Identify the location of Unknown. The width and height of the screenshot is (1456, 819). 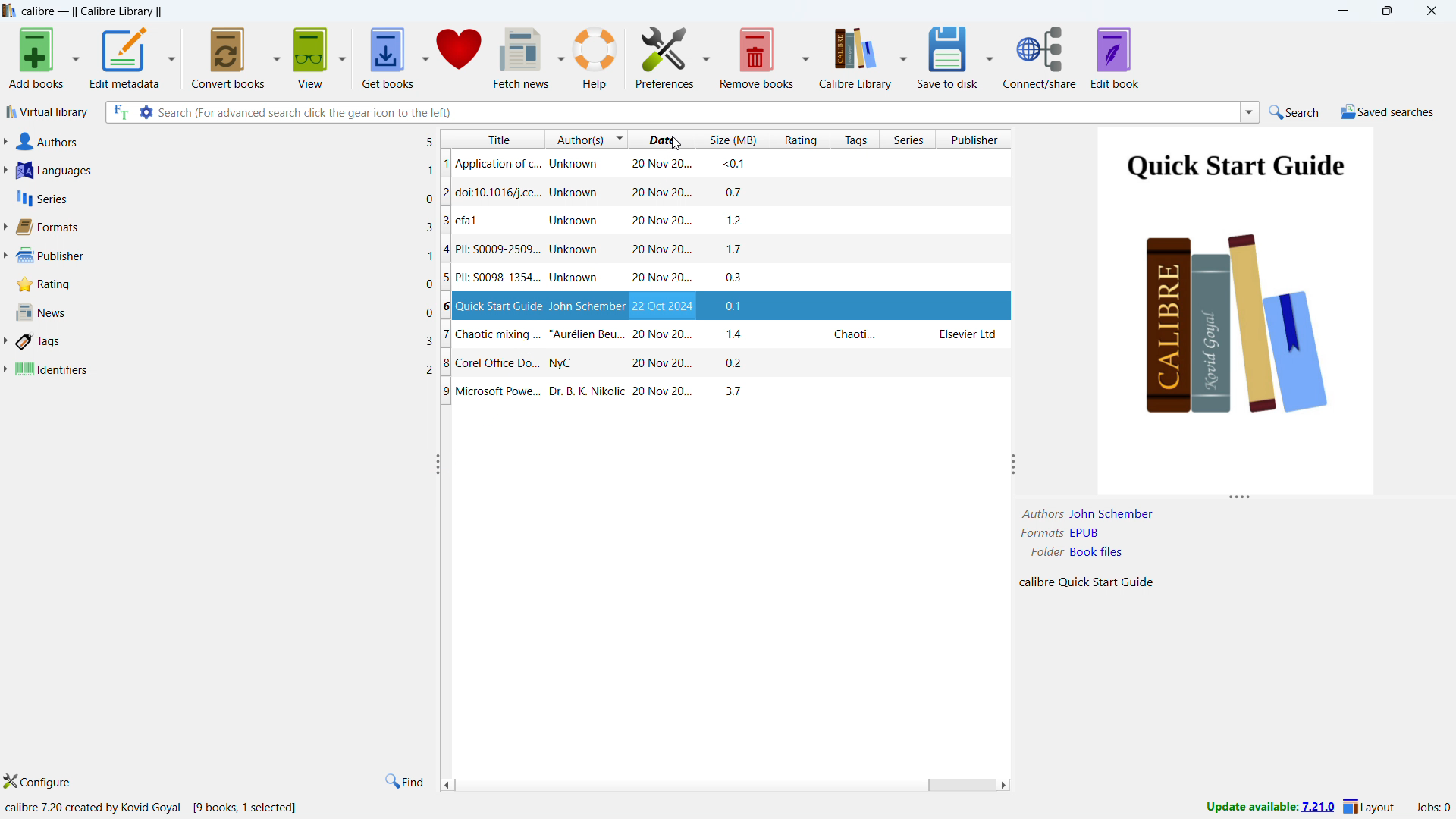
(573, 279).